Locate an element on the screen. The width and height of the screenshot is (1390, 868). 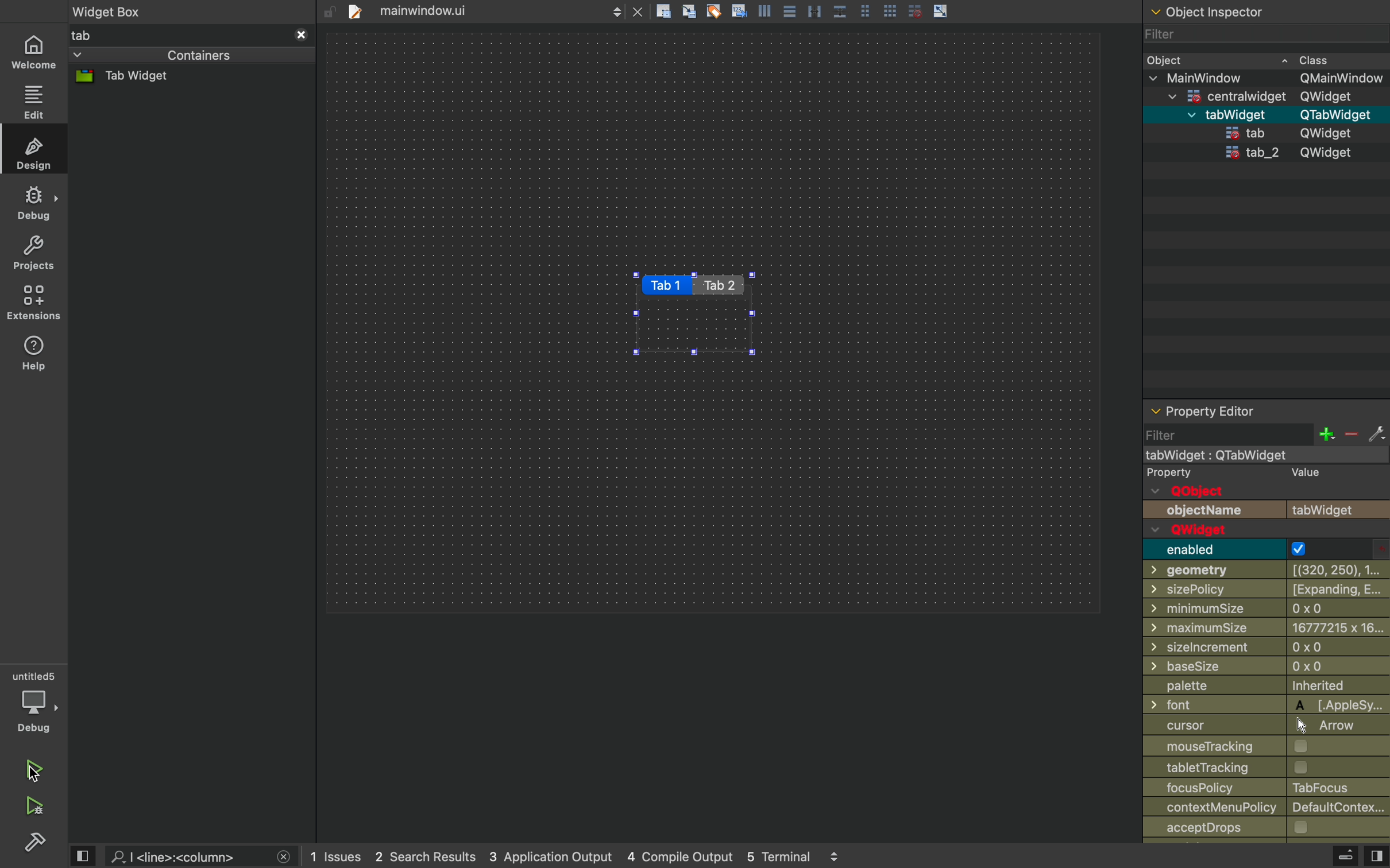
plus is located at coordinates (1325, 434).